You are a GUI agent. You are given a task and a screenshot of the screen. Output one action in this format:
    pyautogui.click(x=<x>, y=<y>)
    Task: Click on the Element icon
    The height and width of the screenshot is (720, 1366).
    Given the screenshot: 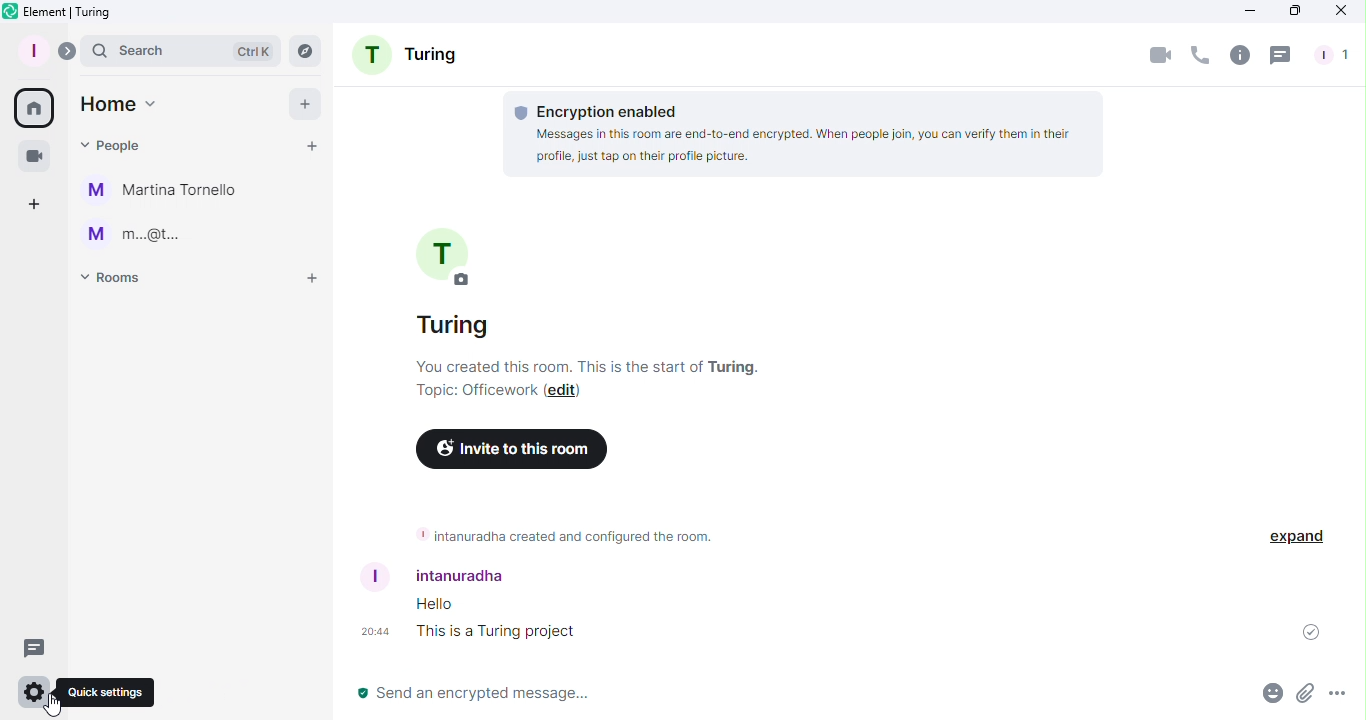 What is the action you would take?
    pyautogui.click(x=84, y=13)
    